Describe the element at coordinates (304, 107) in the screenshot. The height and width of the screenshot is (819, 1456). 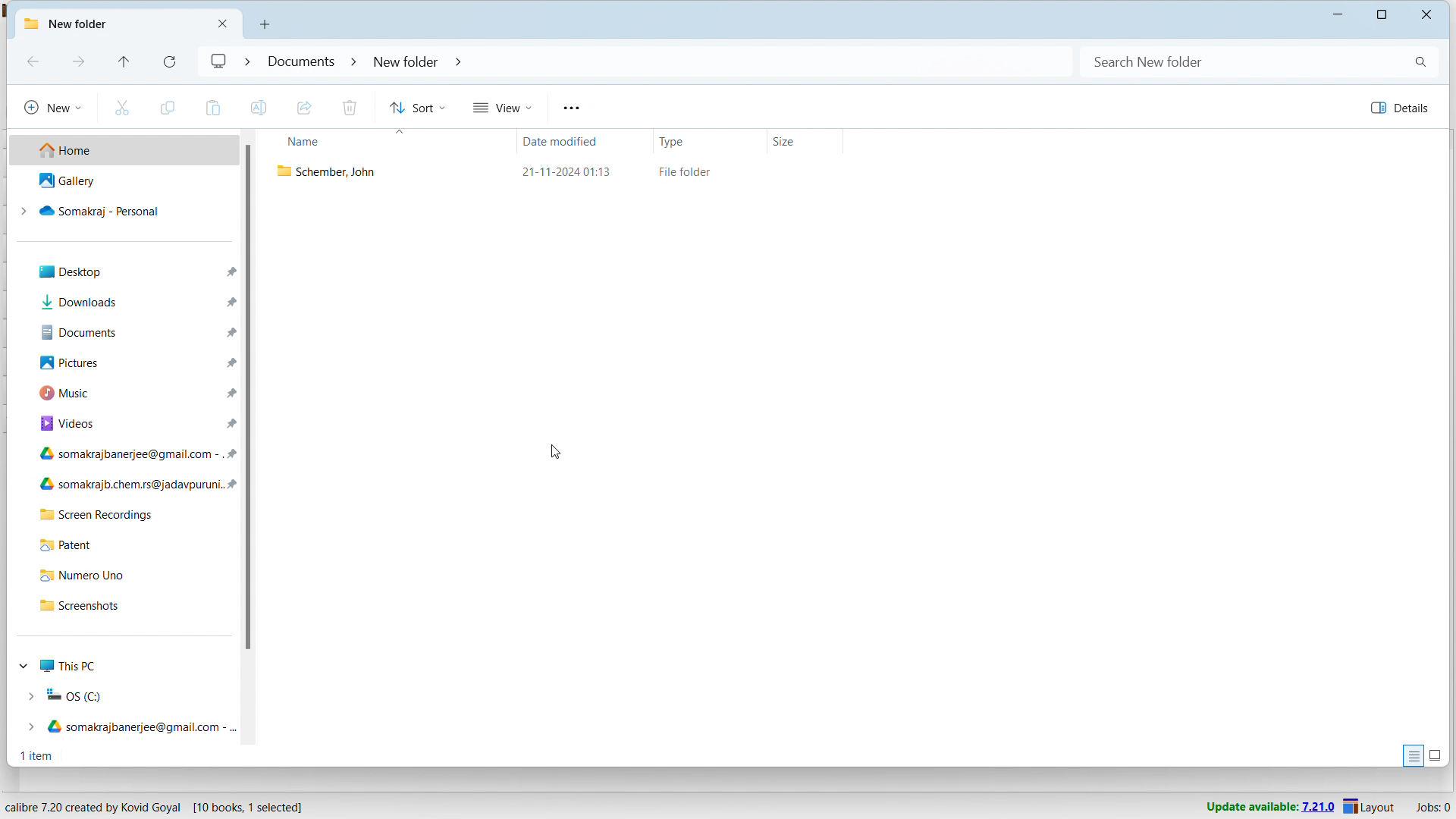
I see `share` at that location.